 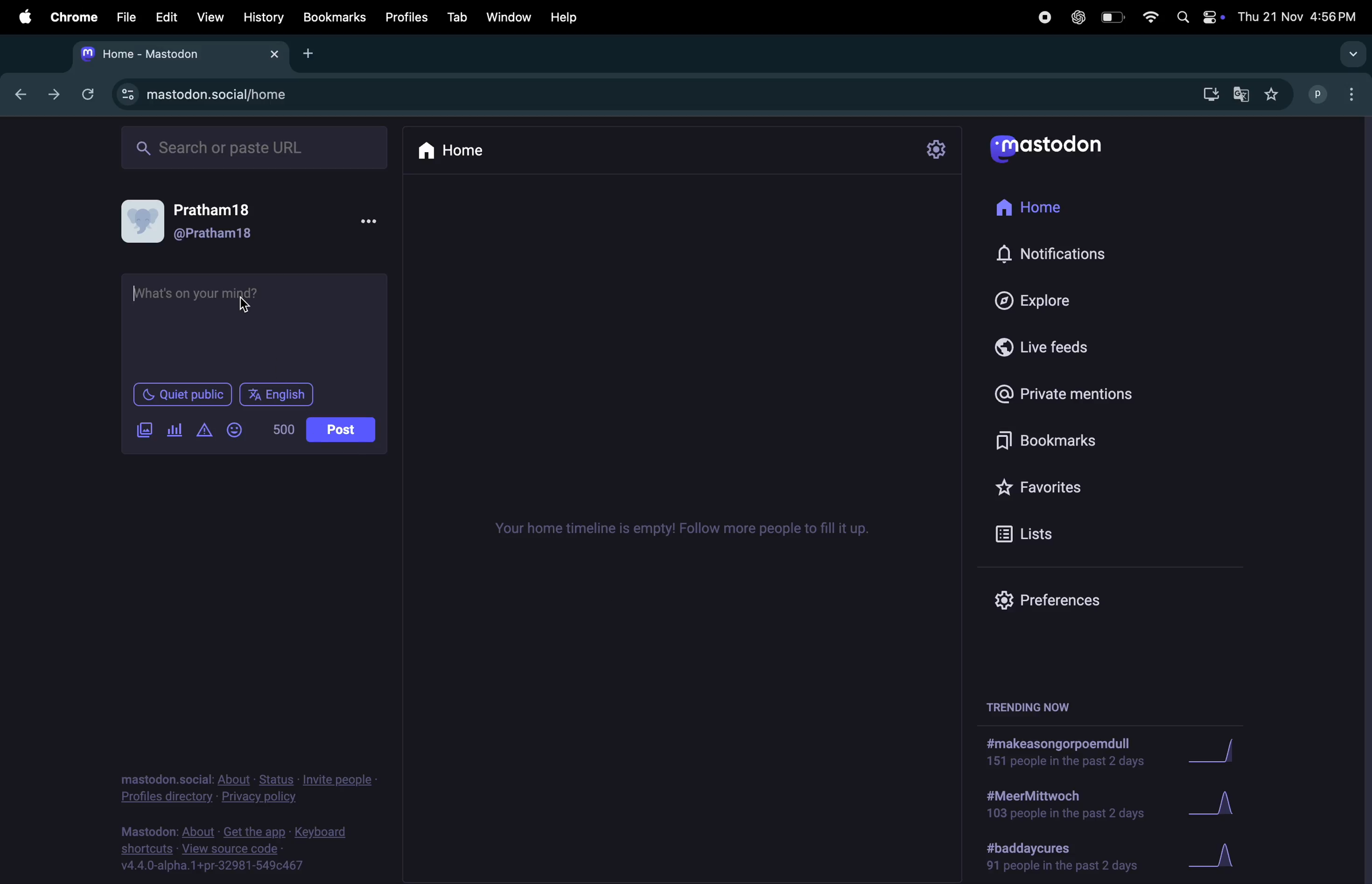 What do you see at coordinates (184, 394) in the screenshot?
I see `Quiet in public` at bounding box center [184, 394].